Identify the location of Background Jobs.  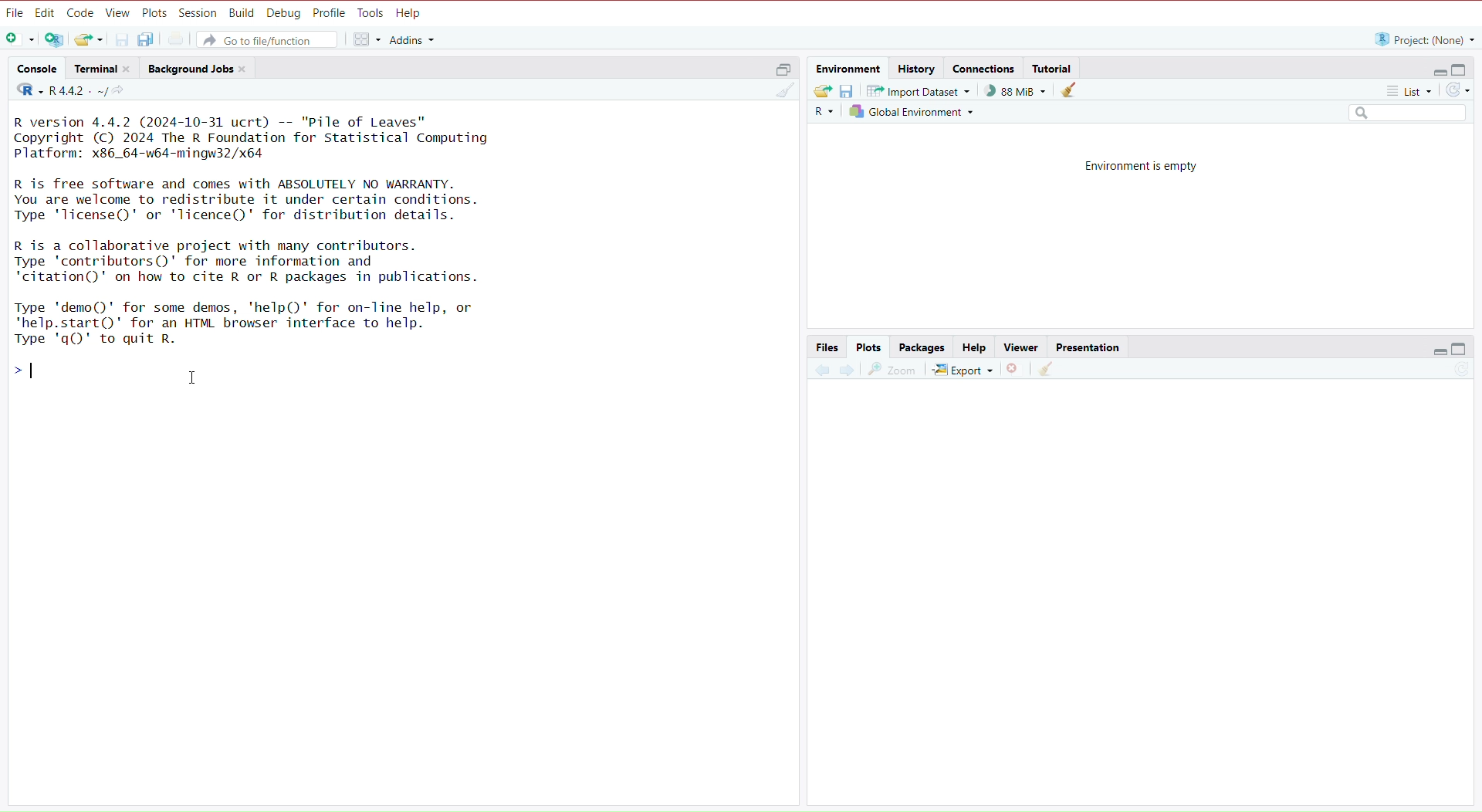
(197, 67).